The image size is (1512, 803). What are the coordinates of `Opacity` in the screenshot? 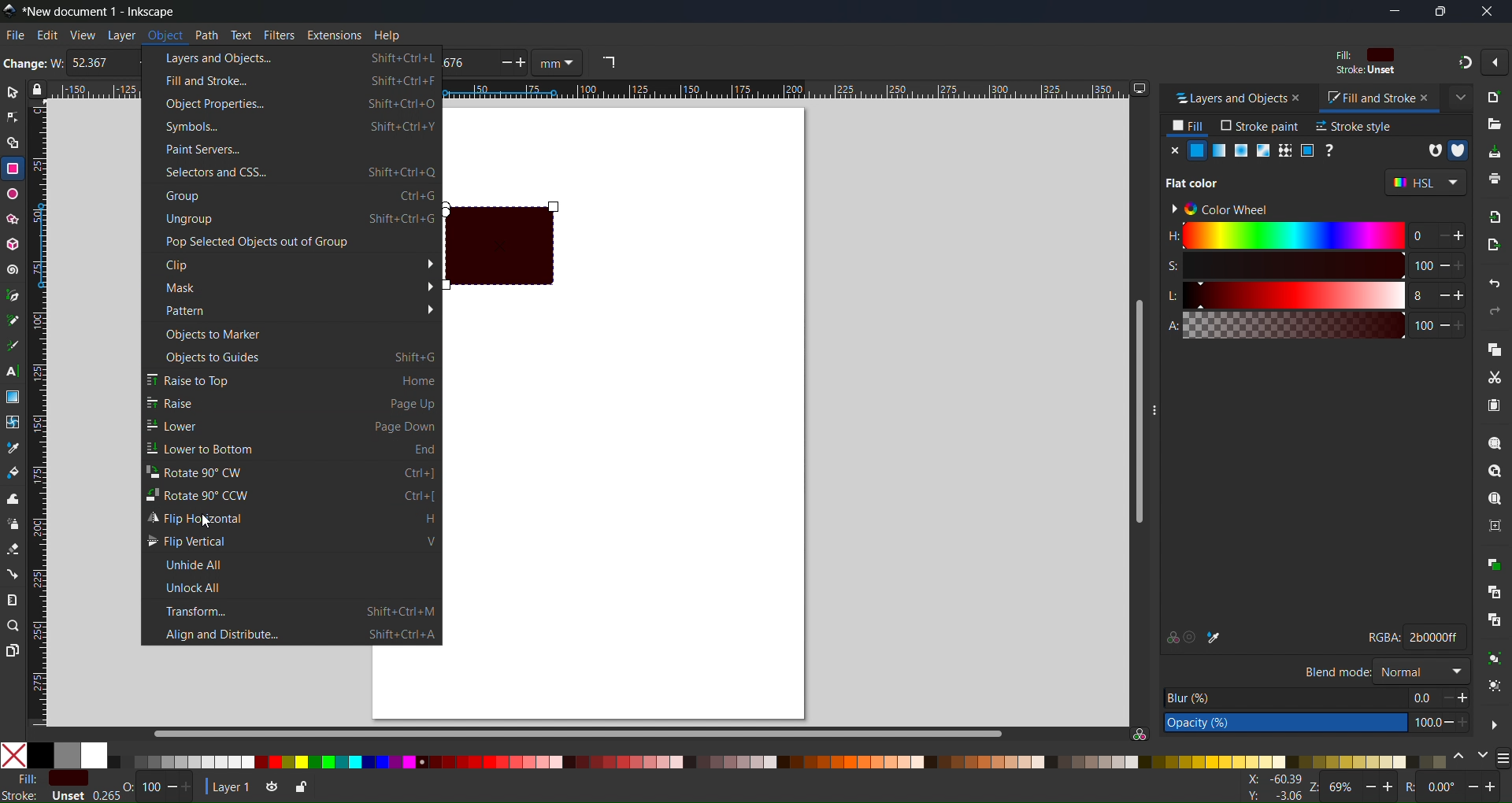 It's located at (151, 787).